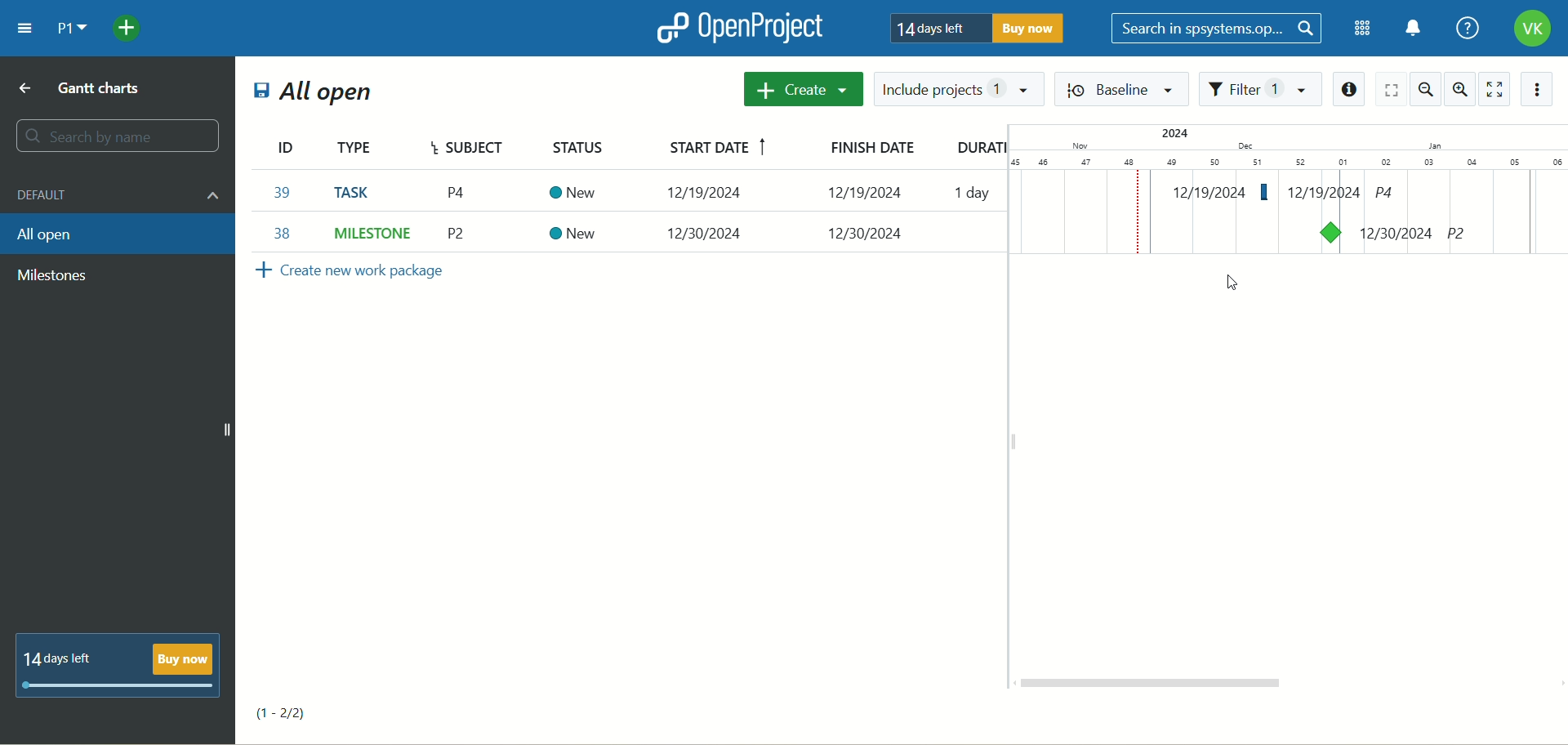 Image resolution: width=1568 pixels, height=745 pixels. Describe the element at coordinates (1392, 89) in the screenshot. I see `screen` at that location.